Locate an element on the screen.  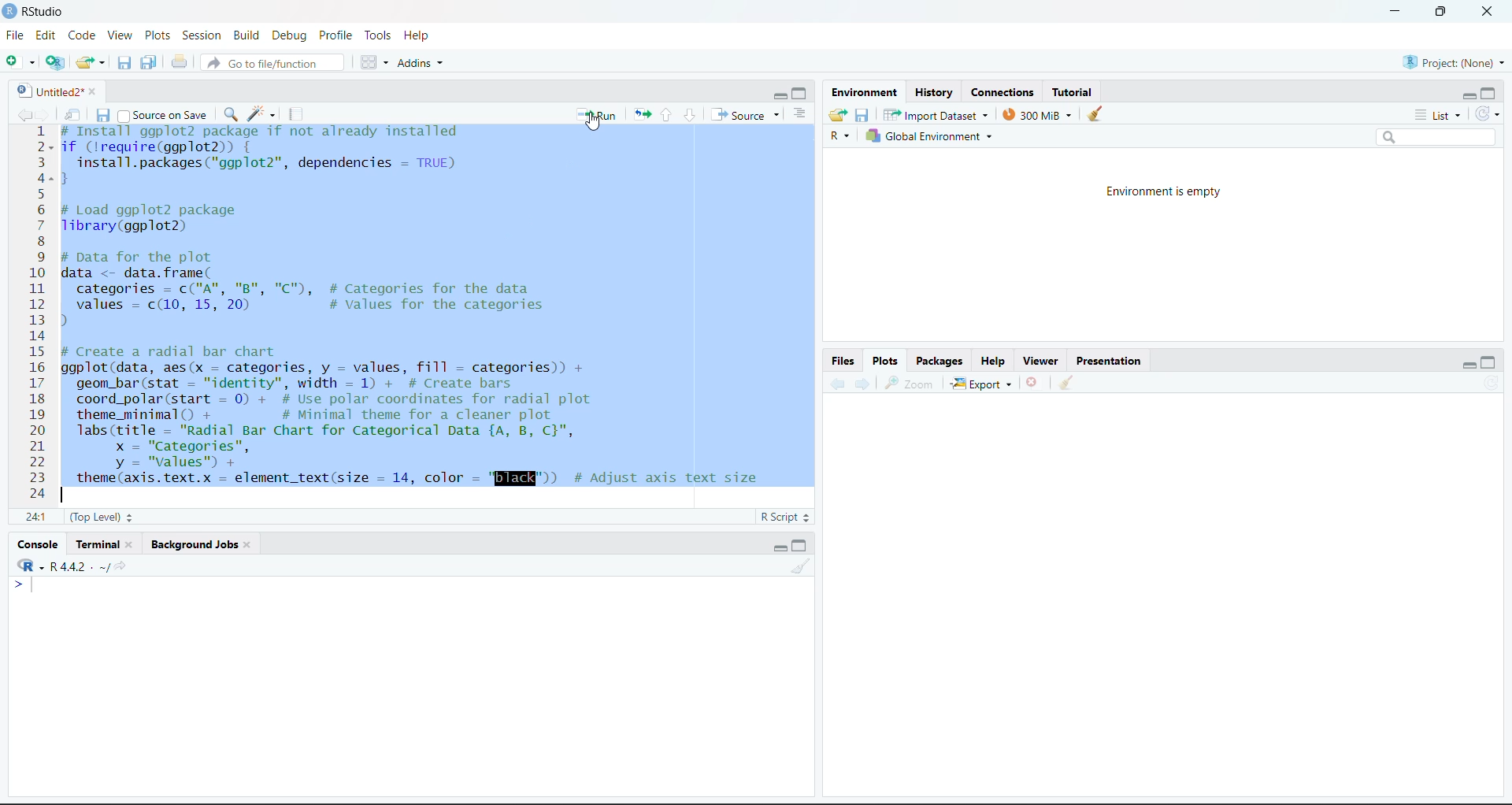
clear all plots is located at coordinates (1069, 384).